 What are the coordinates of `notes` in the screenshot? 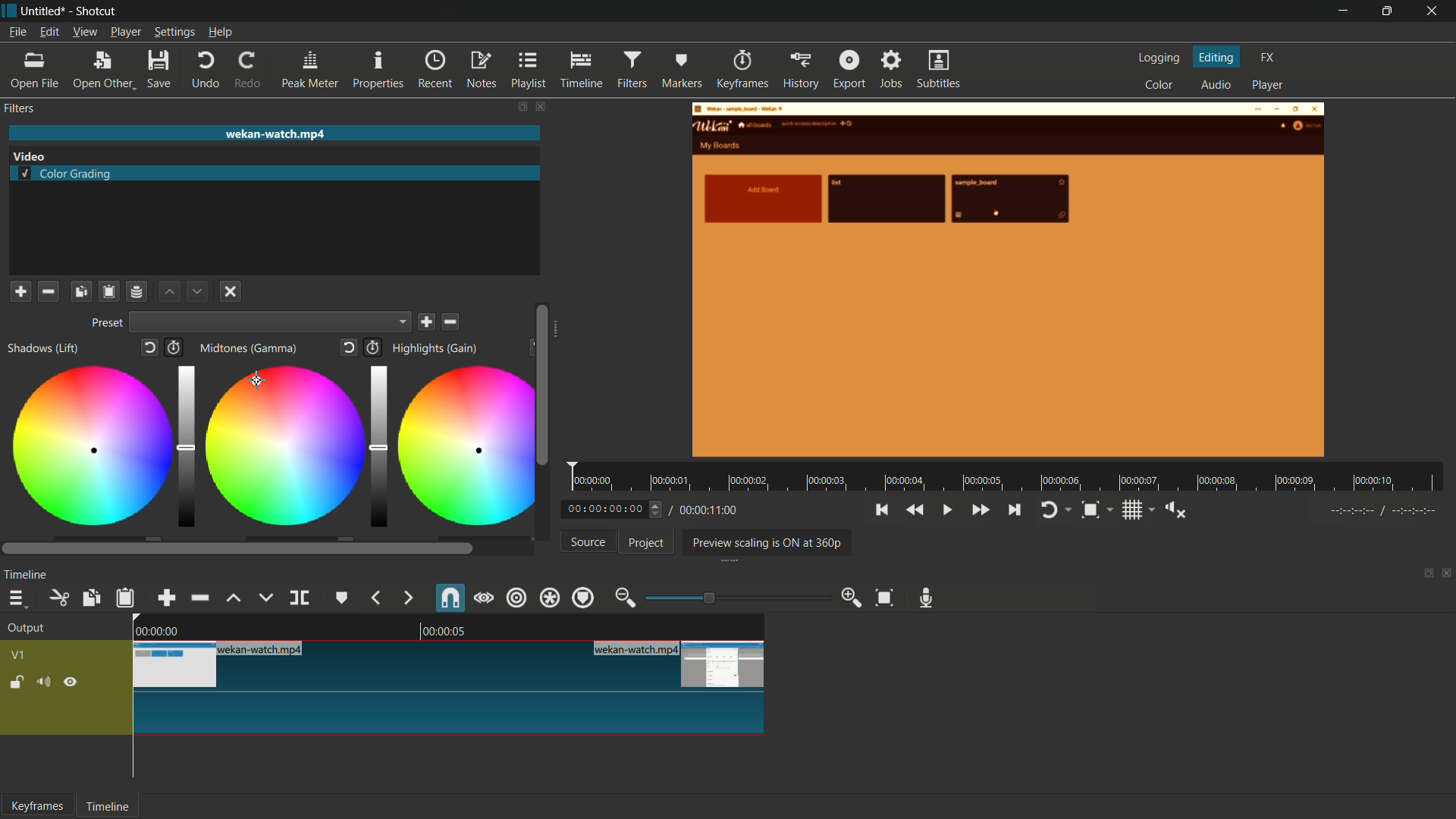 It's located at (482, 71).